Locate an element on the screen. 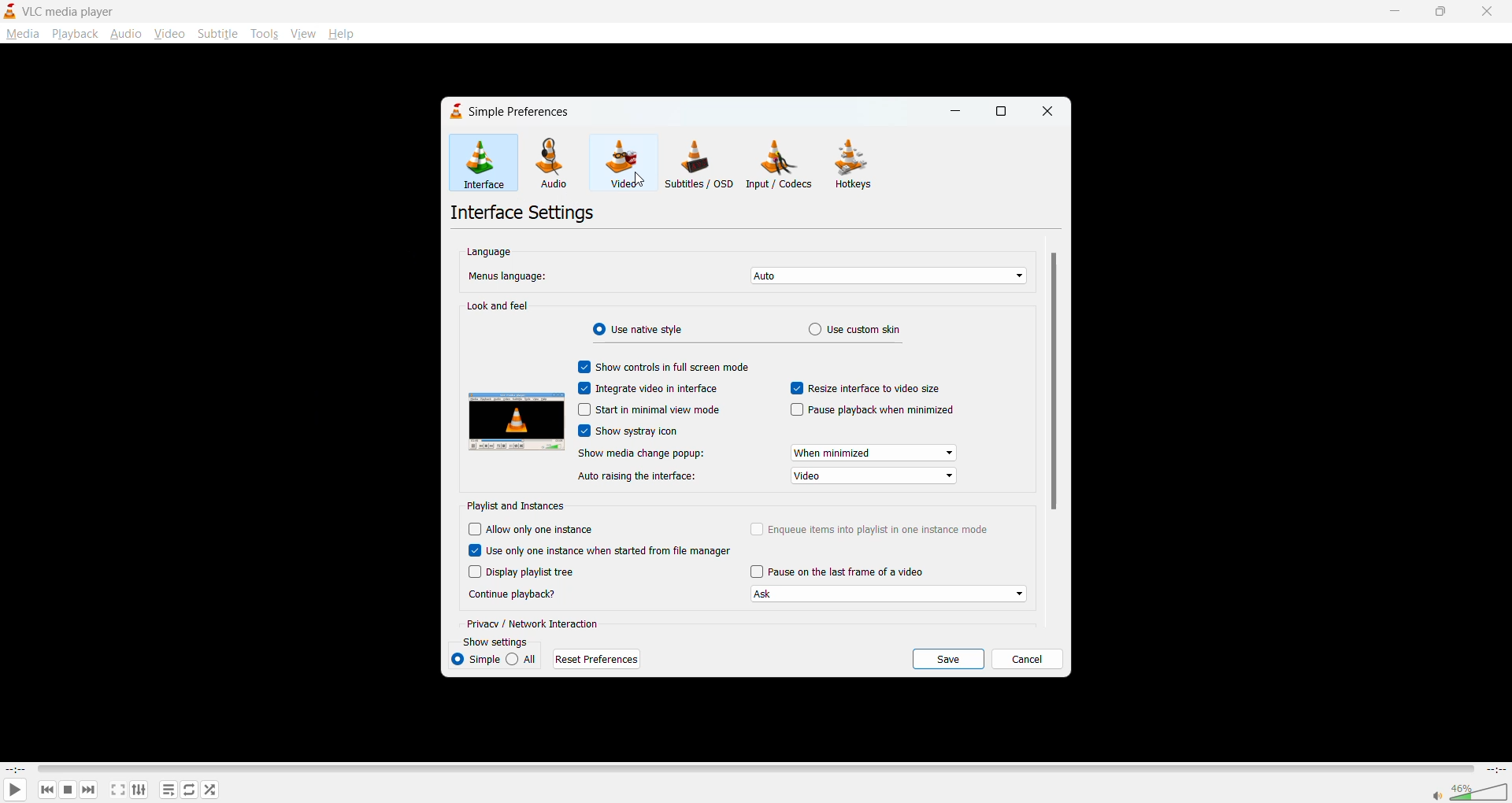  auto raising the interface is located at coordinates (772, 474).